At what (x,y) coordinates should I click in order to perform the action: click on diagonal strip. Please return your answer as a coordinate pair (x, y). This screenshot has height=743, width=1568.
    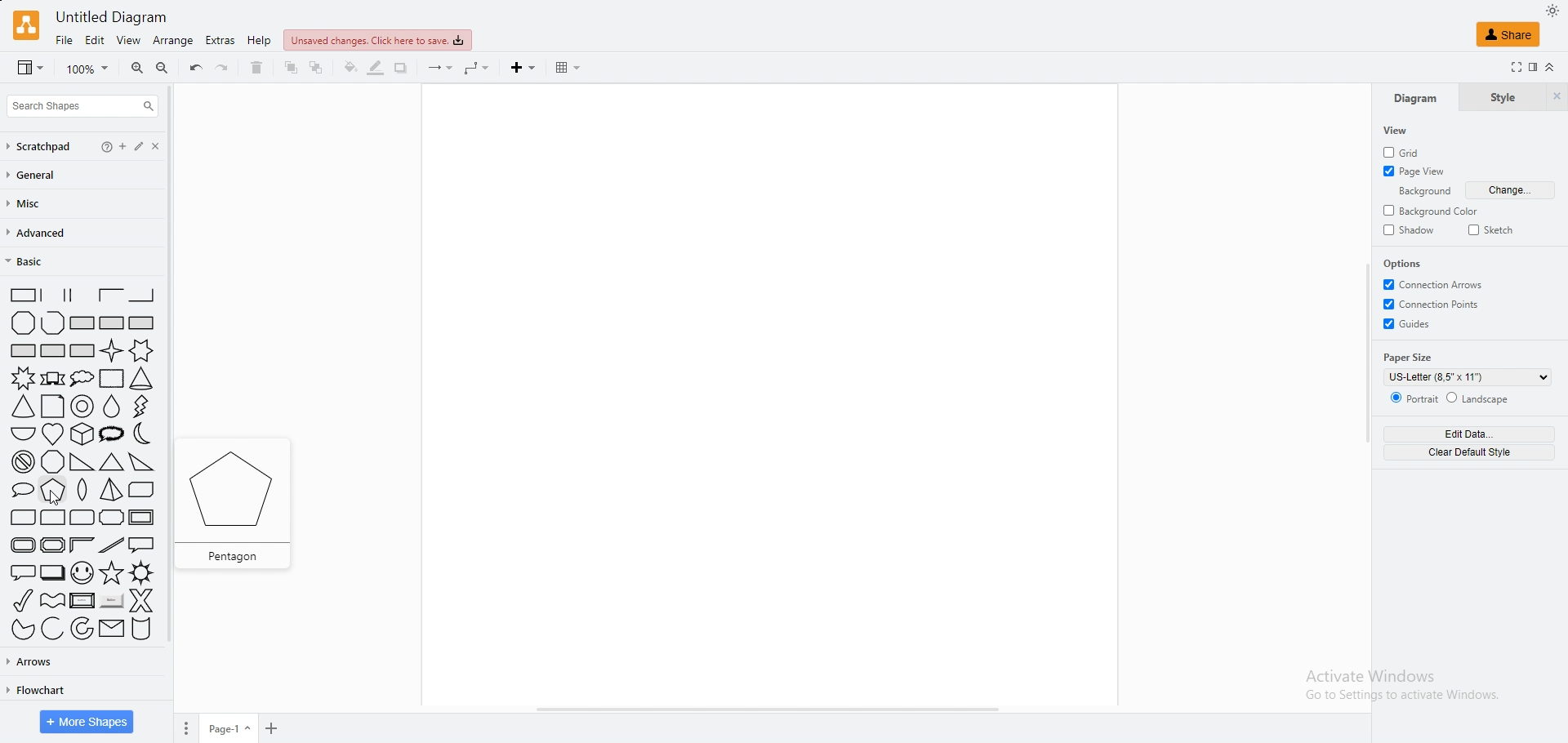
    Looking at the image, I should click on (112, 545).